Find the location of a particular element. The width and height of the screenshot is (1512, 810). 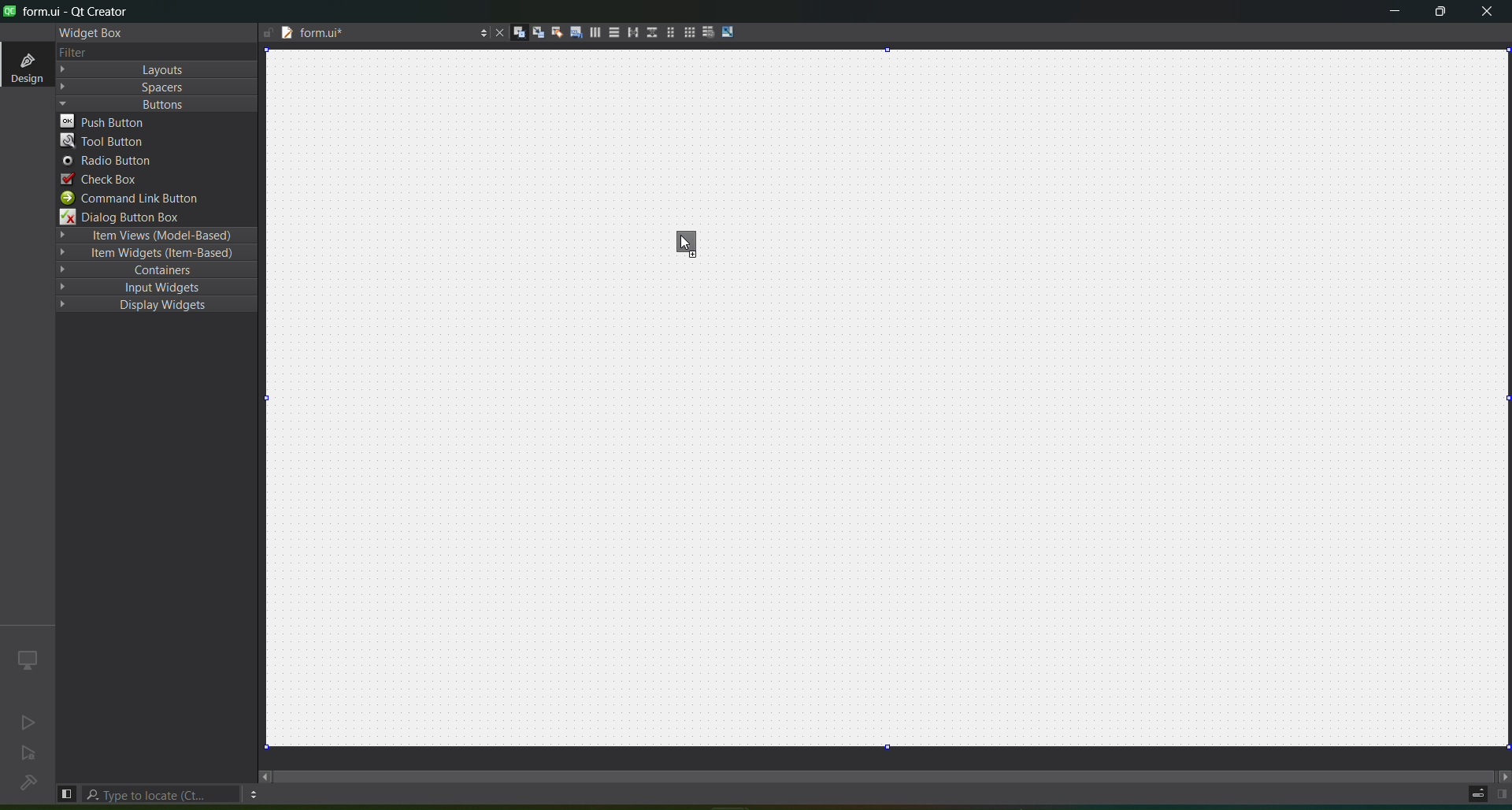

dialog button box is located at coordinates (151, 216).